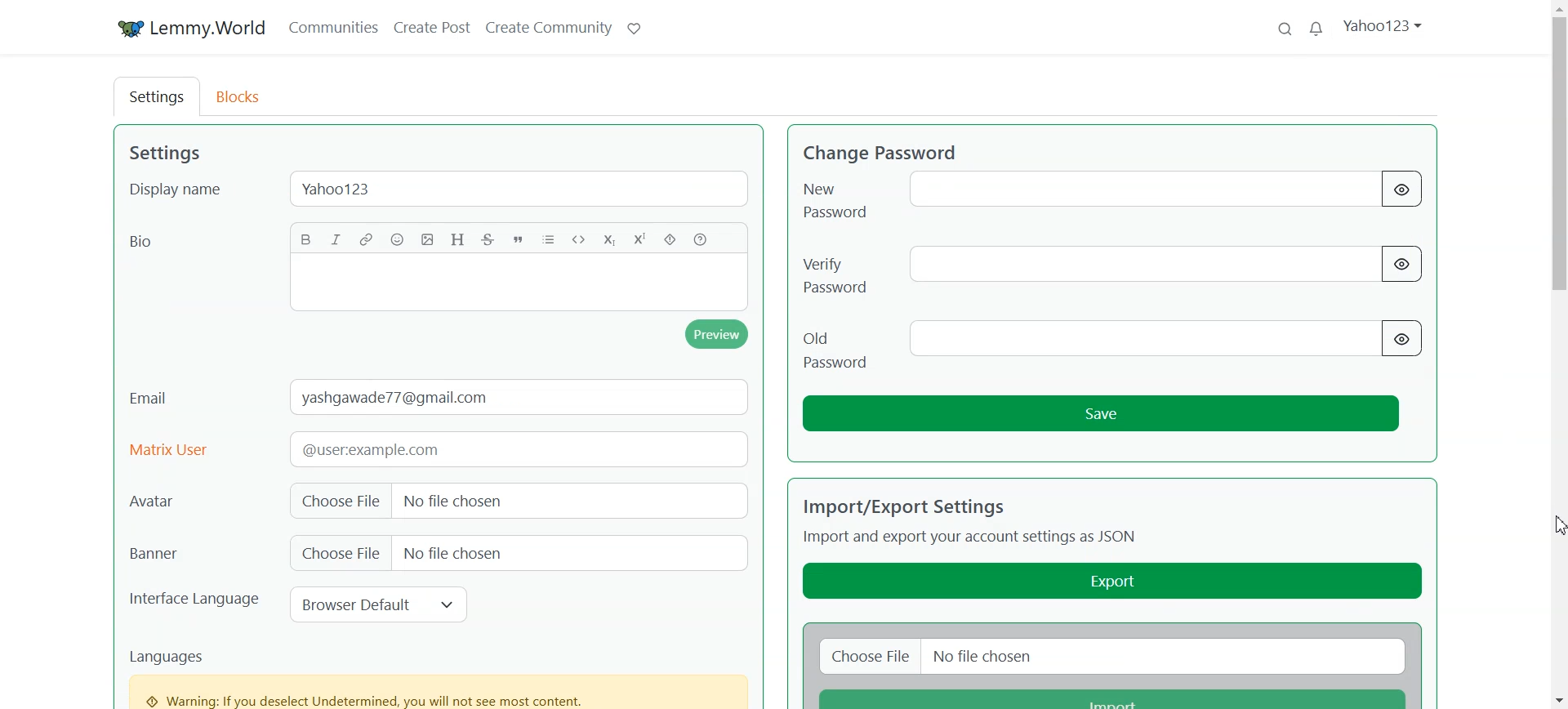  What do you see at coordinates (633, 27) in the screenshot?
I see `Support Limmy` at bounding box center [633, 27].